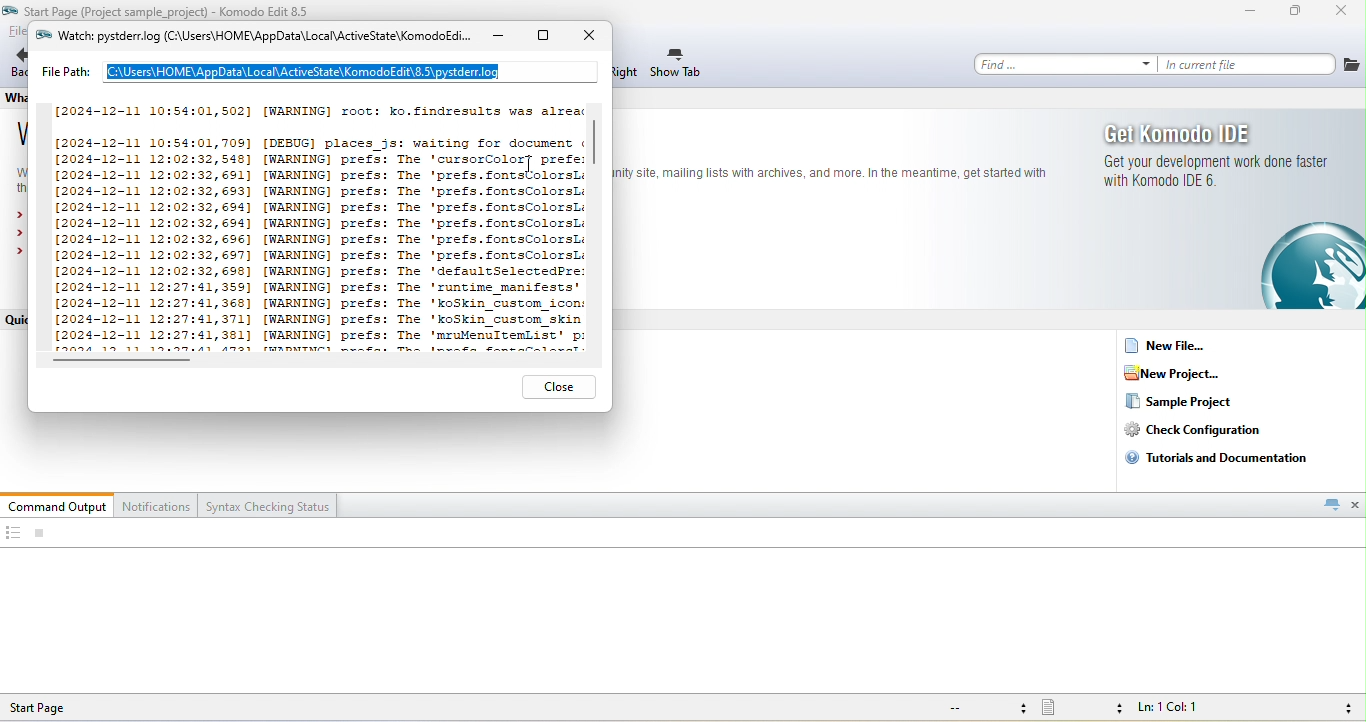 The width and height of the screenshot is (1366, 722). What do you see at coordinates (1208, 430) in the screenshot?
I see `check configuration` at bounding box center [1208, 430].